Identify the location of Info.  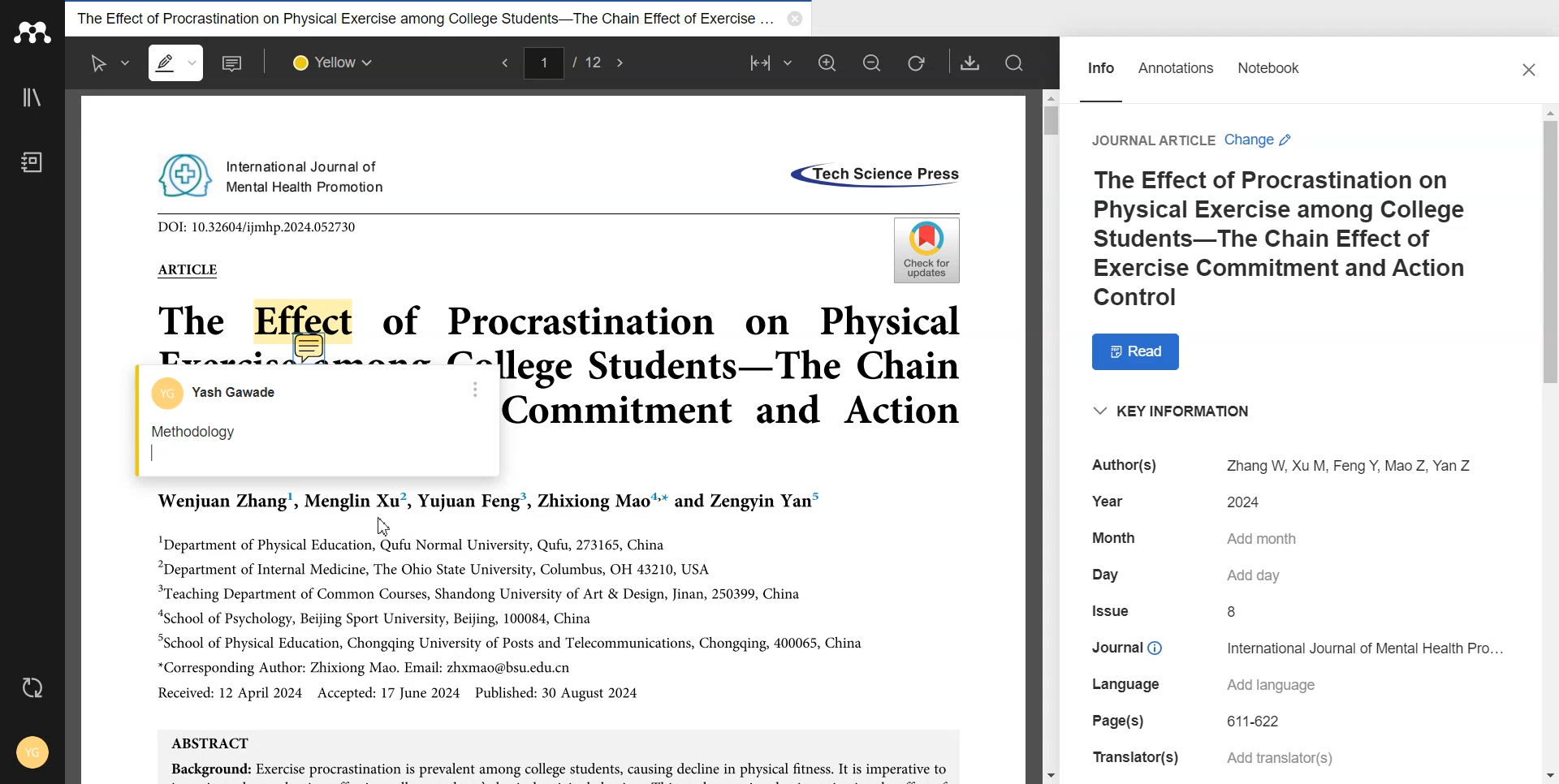
(1101, 72).